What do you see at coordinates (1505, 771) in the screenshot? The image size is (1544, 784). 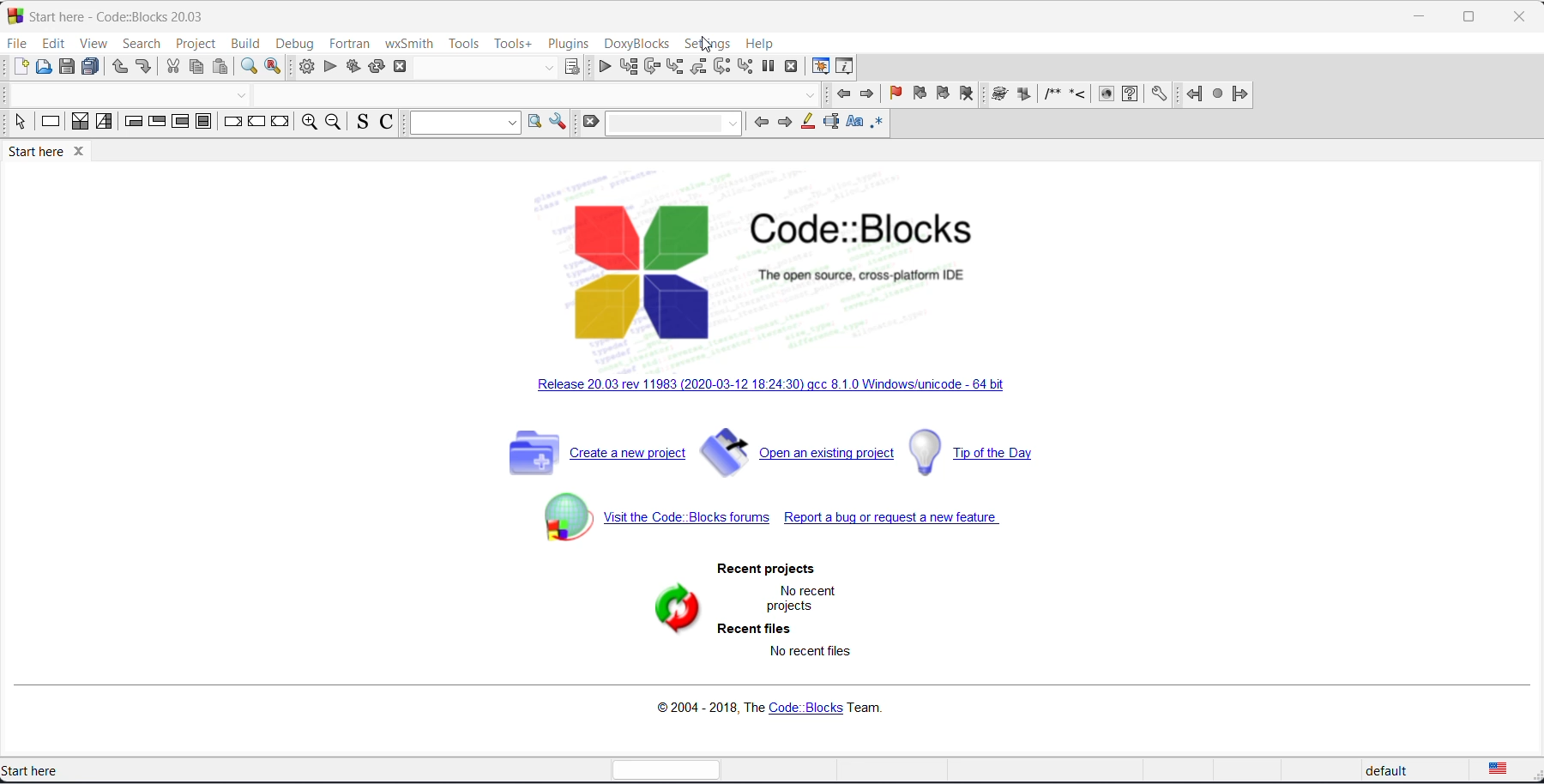 I see `language` at bounding box center [1505, 771].